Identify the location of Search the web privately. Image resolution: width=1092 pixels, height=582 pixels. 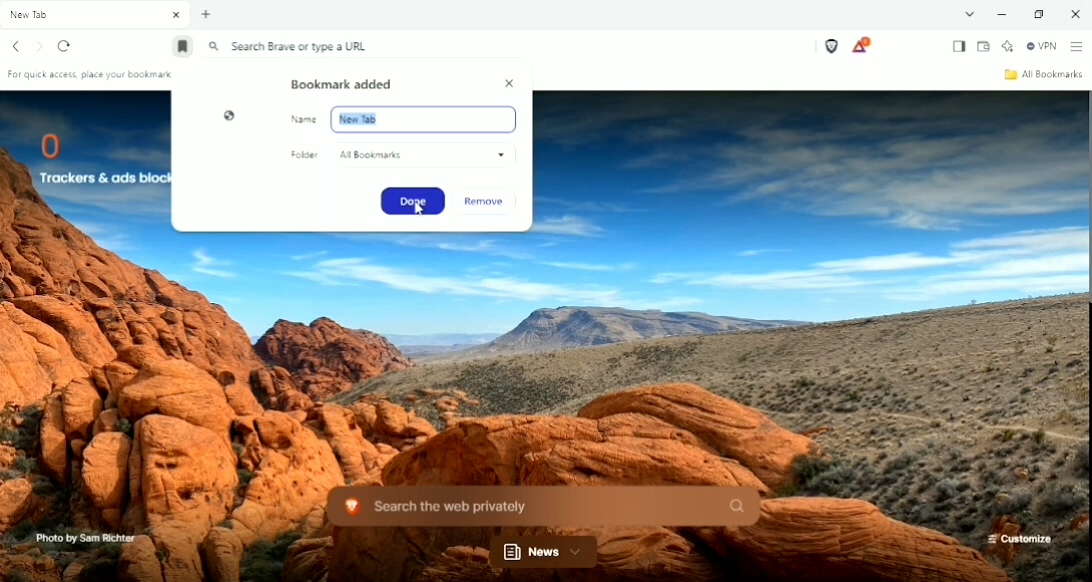
(540, 505).